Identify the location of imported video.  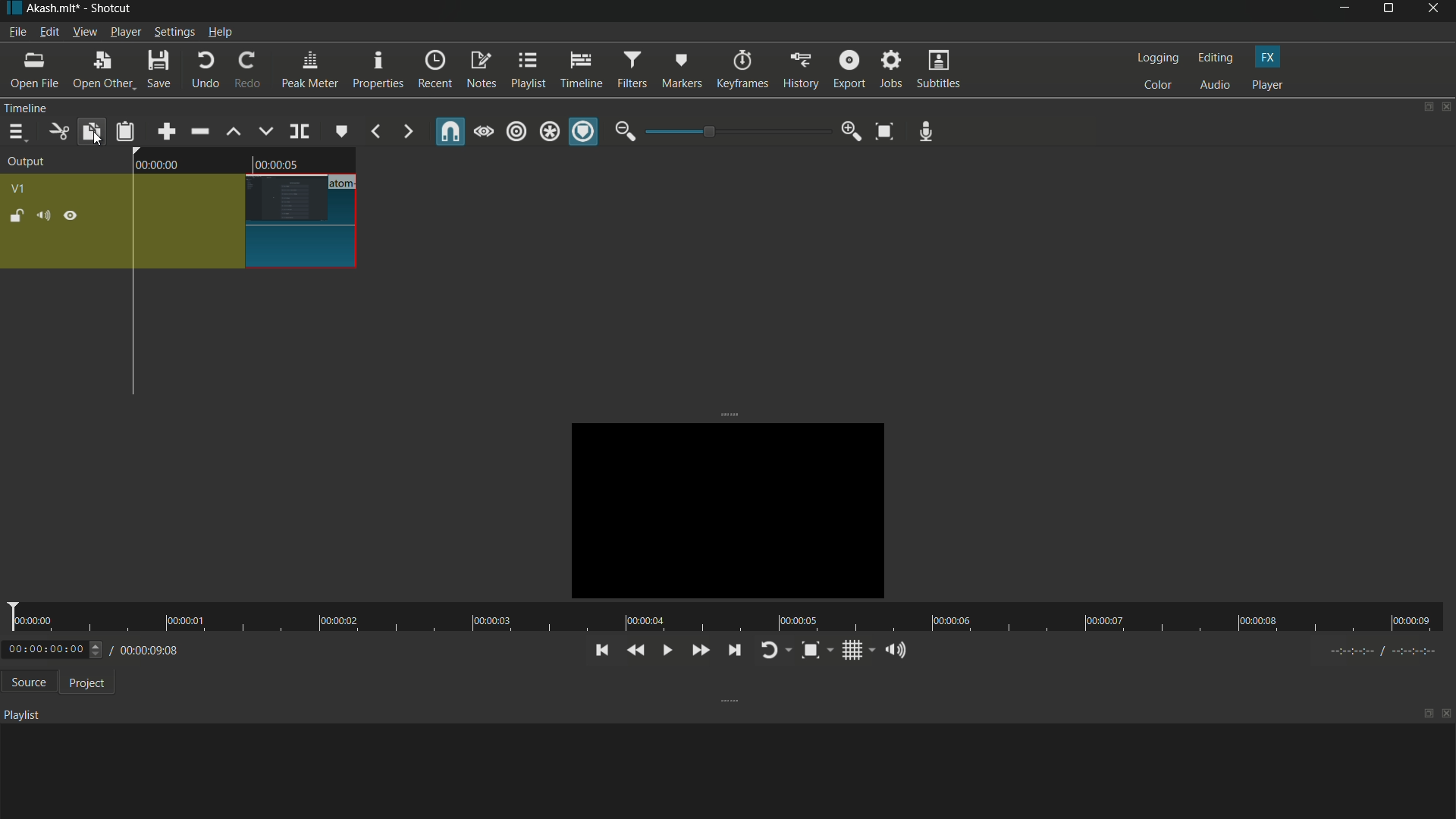
(719, 508).